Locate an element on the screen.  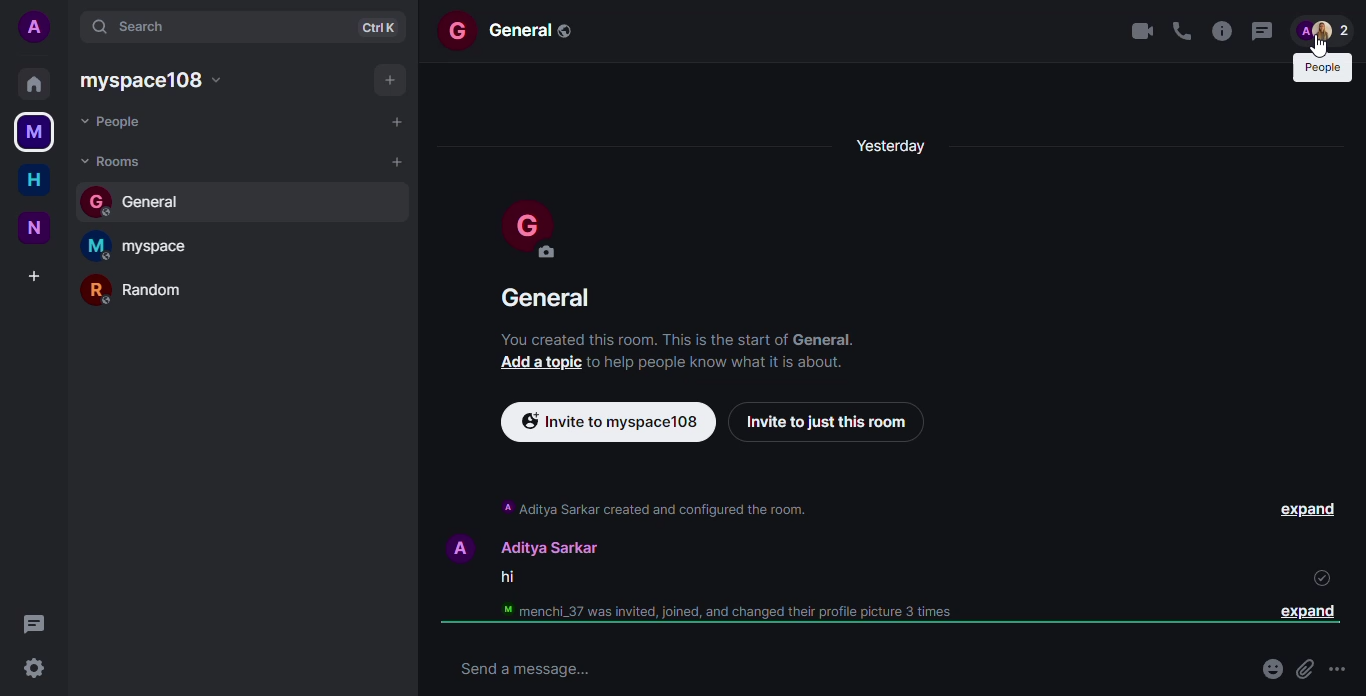
hi is located at coordinates (513, 578).